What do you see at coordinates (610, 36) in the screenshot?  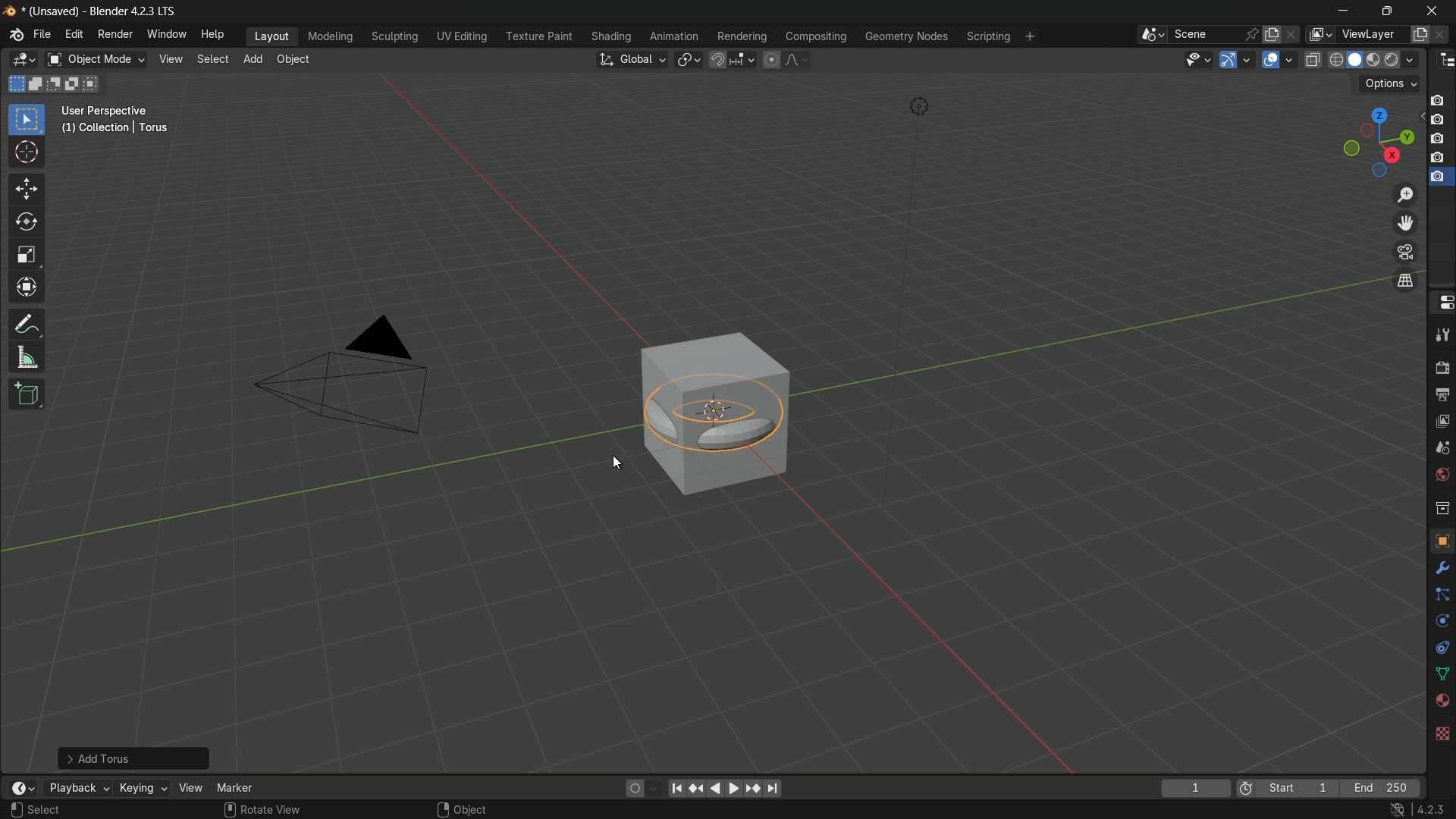 I see `shading` at bounding box center [610, 36].